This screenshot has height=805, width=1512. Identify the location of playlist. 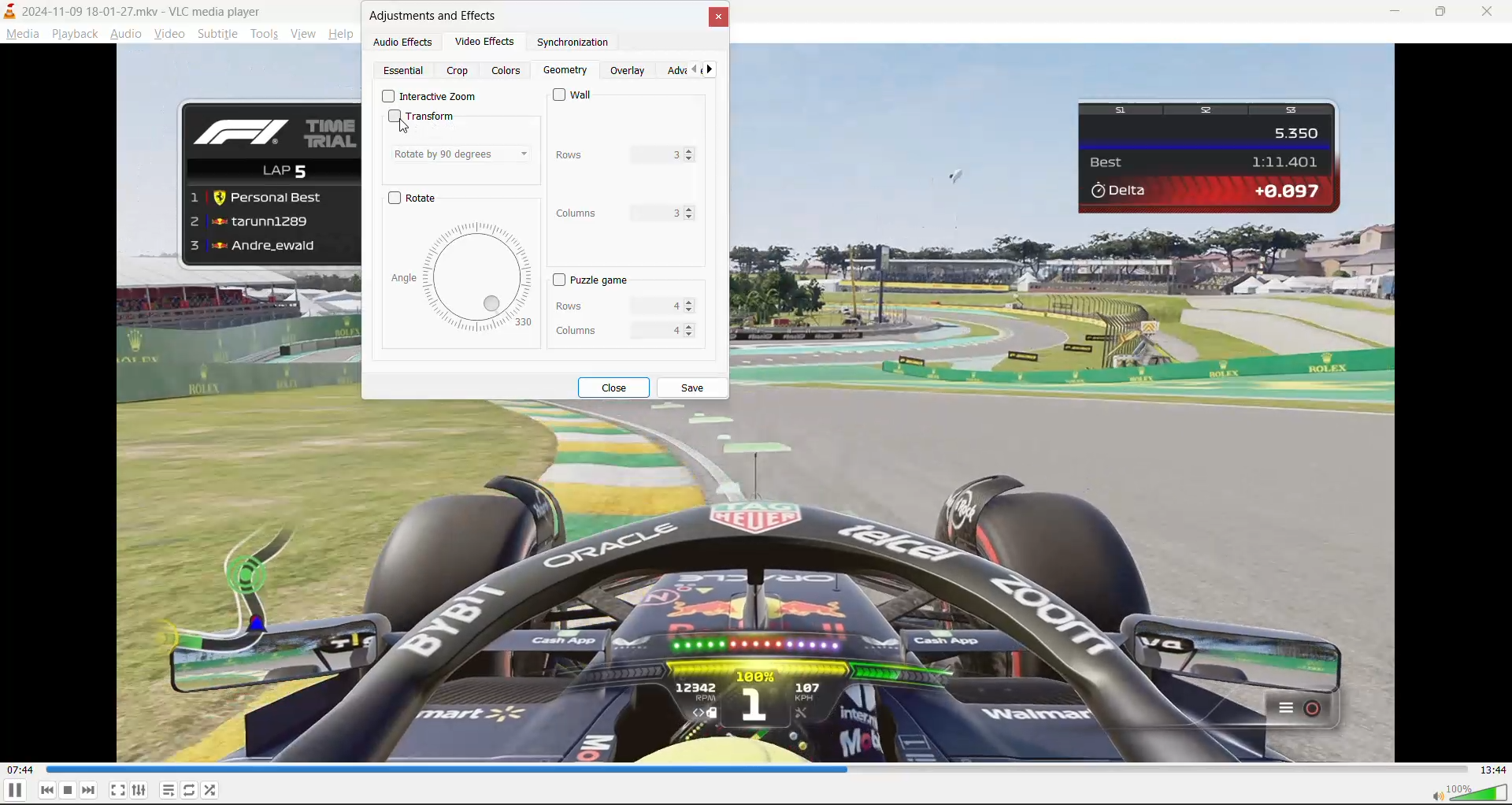
(169, 790).